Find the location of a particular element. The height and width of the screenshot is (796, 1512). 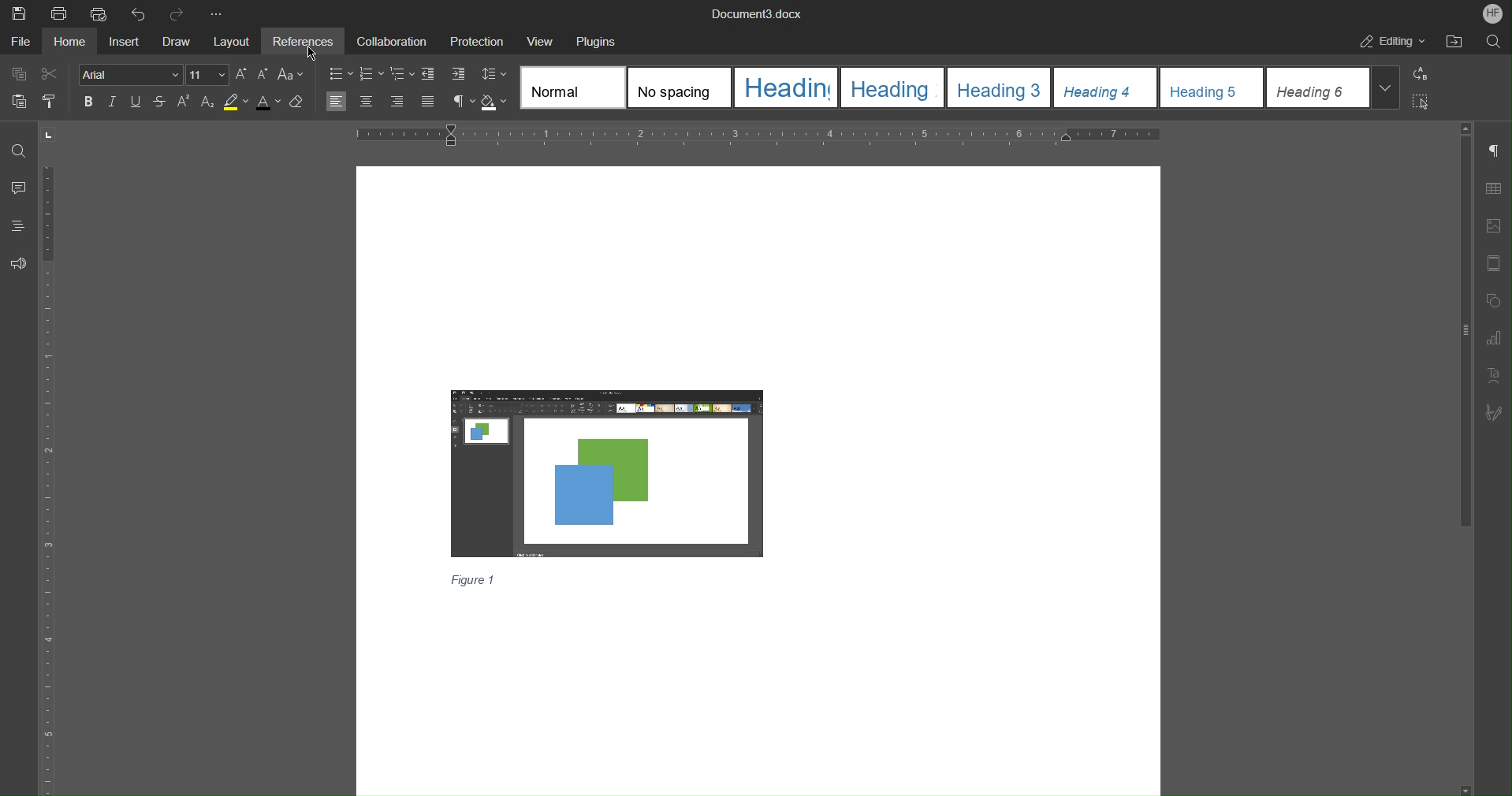

Select All is located at coordinates (1421, 102).